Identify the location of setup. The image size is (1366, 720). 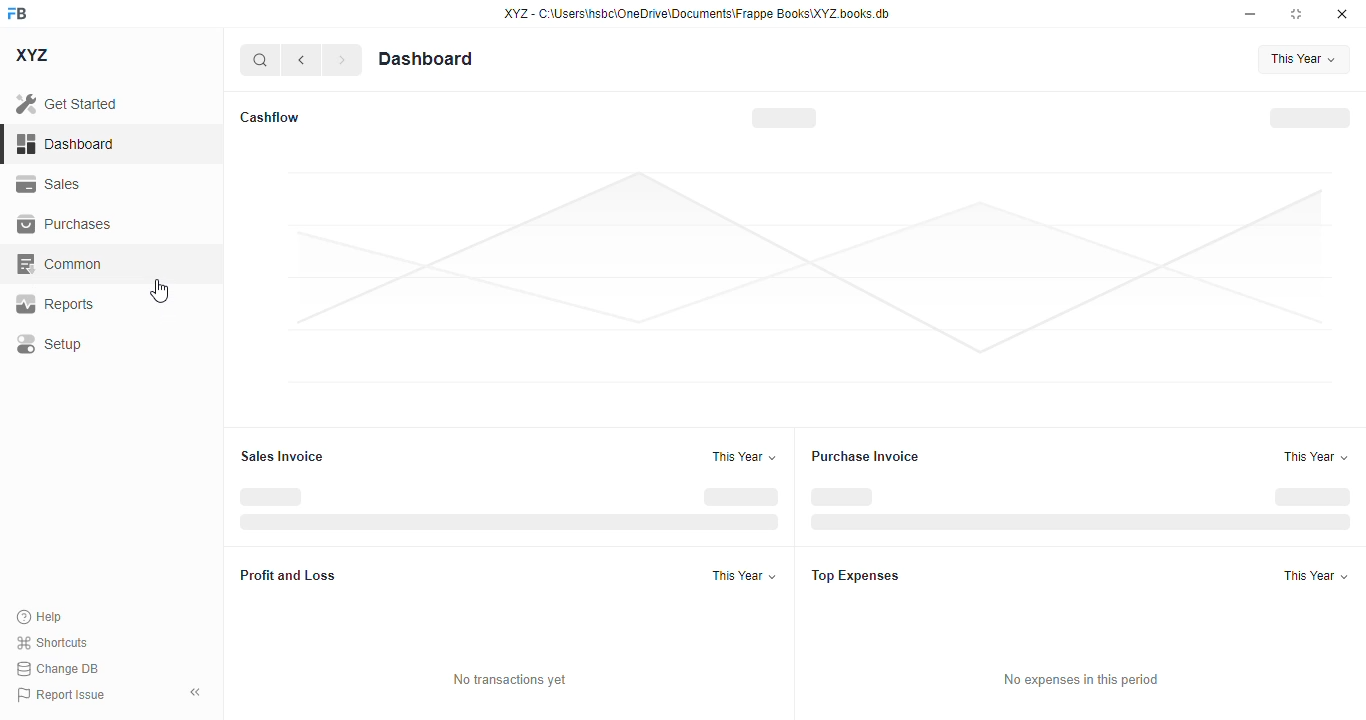
(50, 344).